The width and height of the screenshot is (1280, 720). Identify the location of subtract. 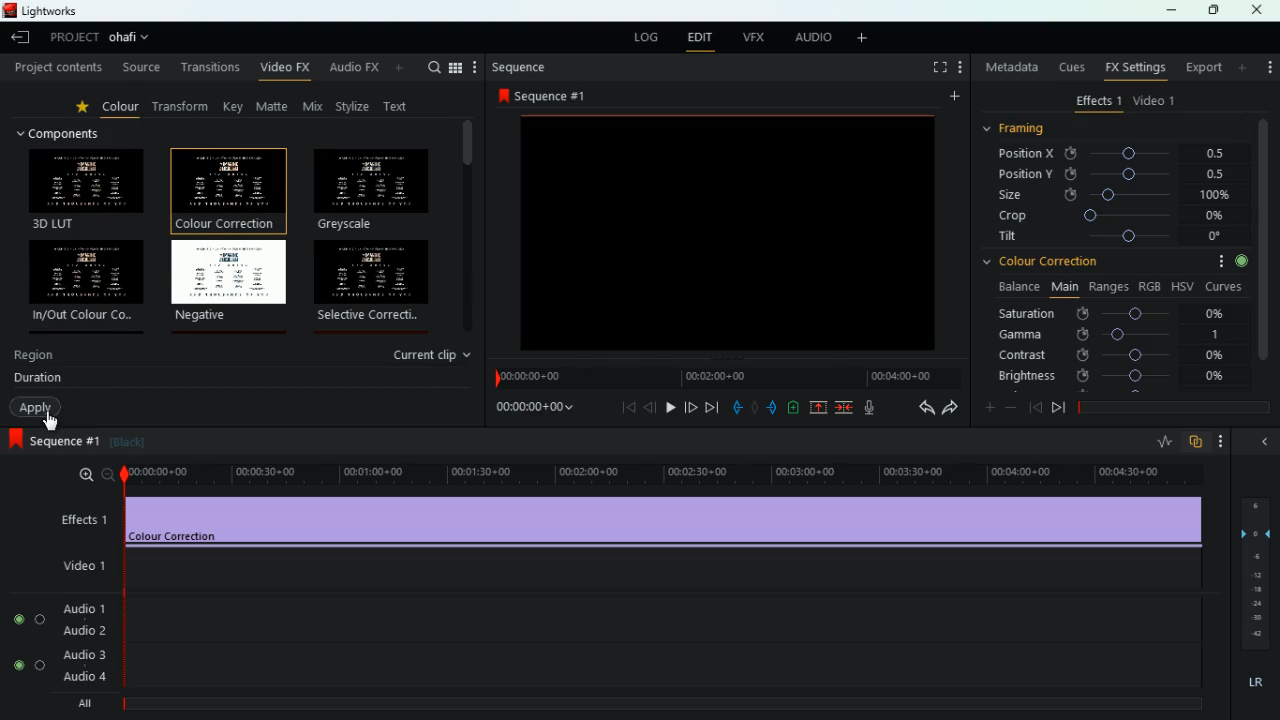
(1008, 410).